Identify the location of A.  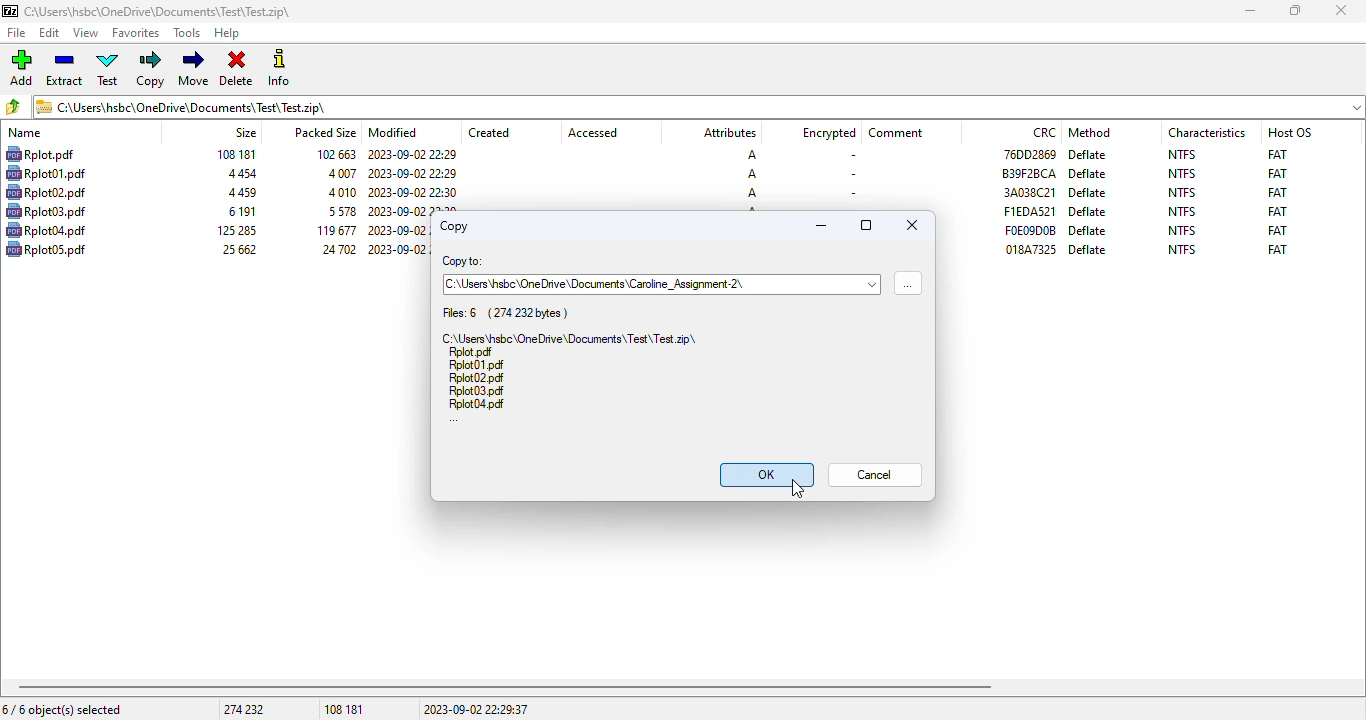
(750, 155).